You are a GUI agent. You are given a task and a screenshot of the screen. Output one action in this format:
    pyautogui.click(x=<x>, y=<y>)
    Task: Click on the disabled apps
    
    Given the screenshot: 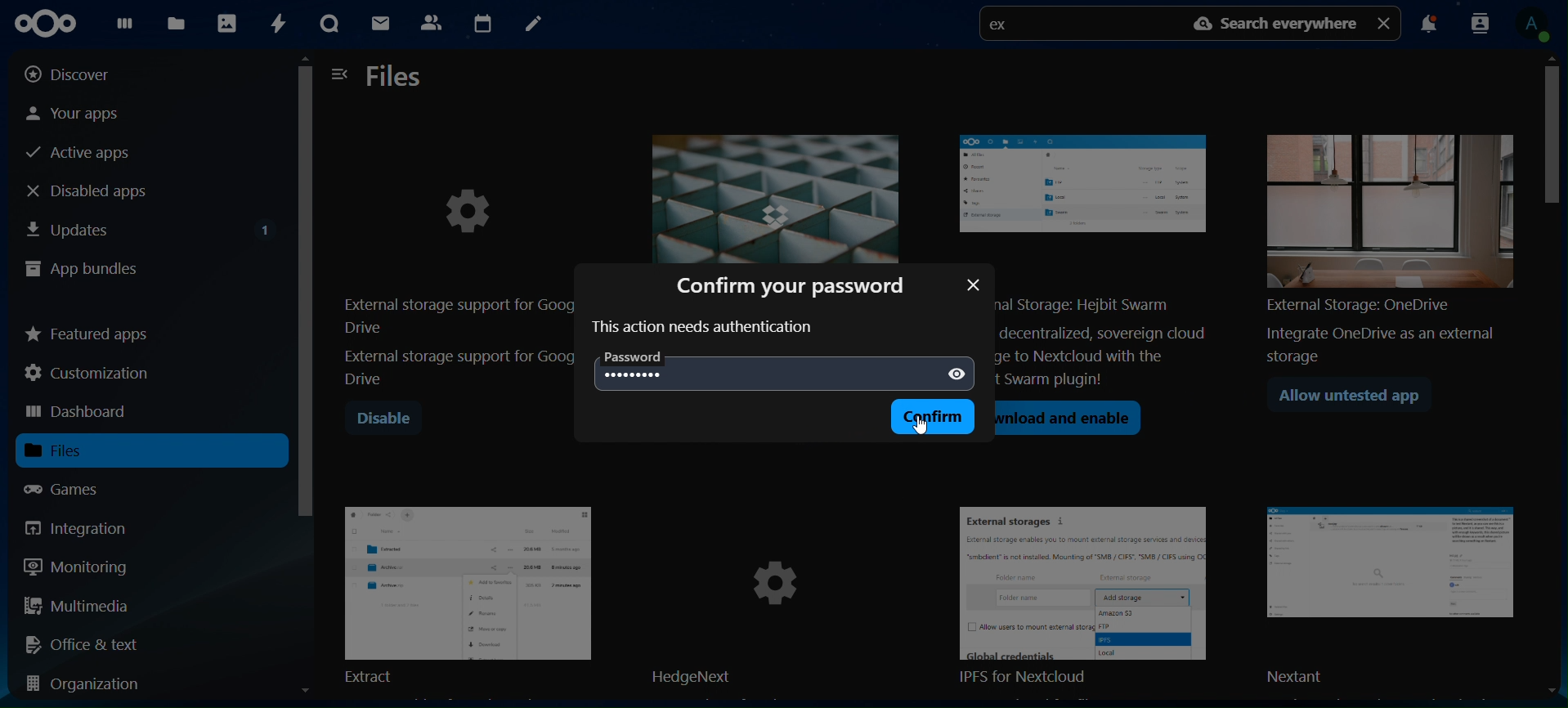 What is the action you would take?
    pyautogui.click(x=101, y=190)
    